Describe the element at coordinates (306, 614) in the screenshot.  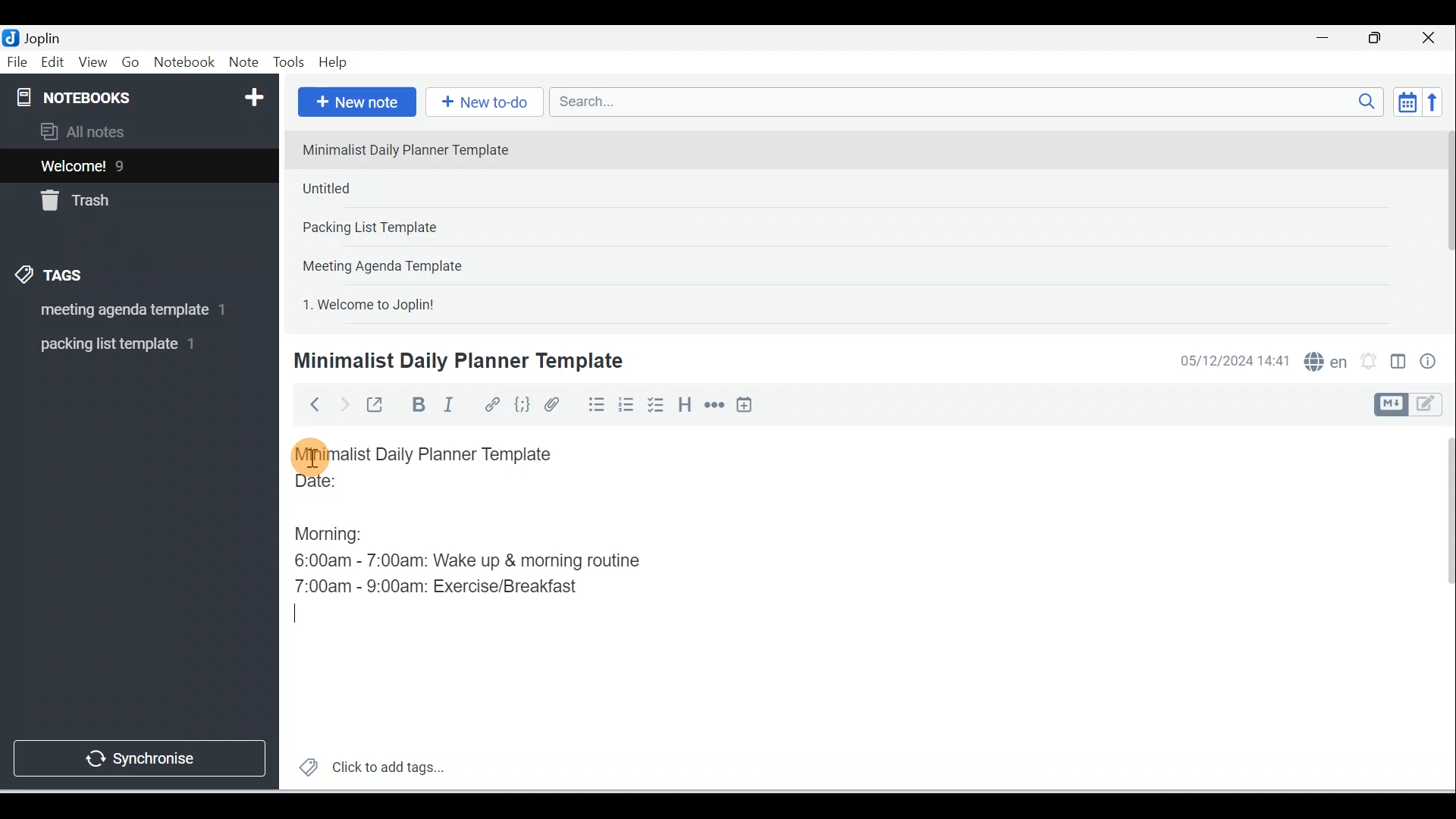
I see `Cursor` at that location.